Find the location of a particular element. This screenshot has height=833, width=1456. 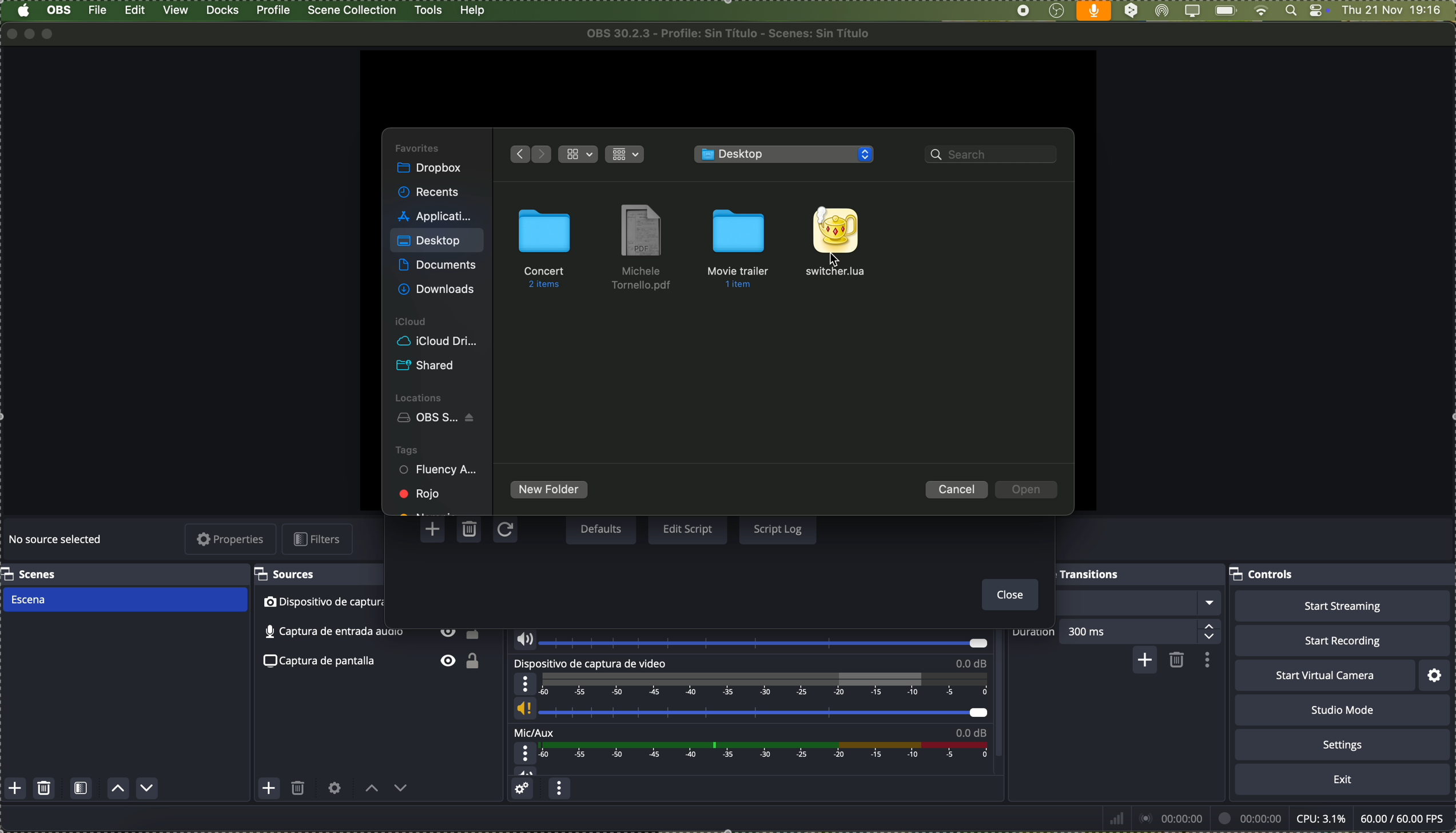

movie trailer folder is located at coordinates (742, 246).